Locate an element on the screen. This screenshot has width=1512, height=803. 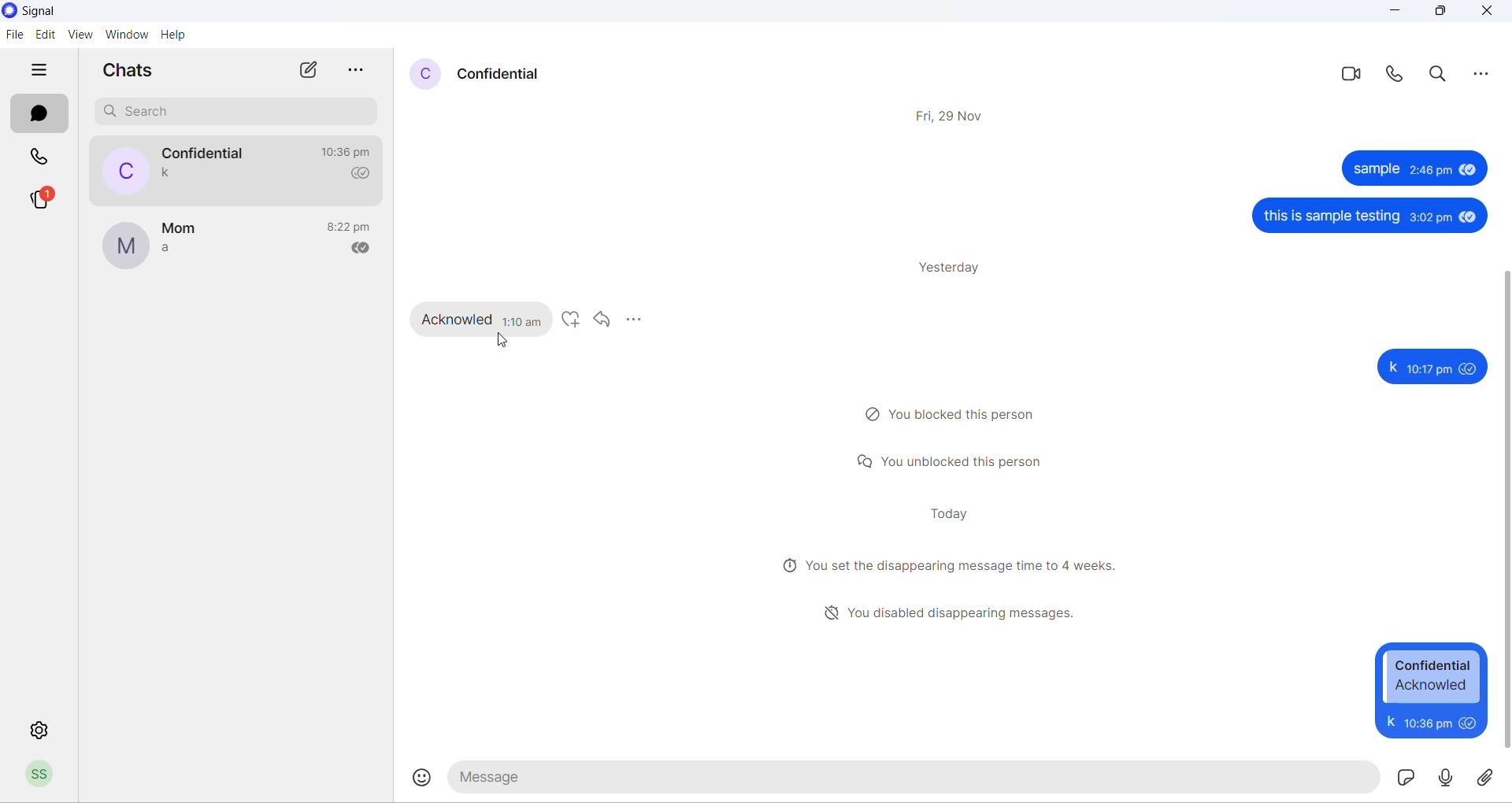
last message time is located at coordinates (352, 225).